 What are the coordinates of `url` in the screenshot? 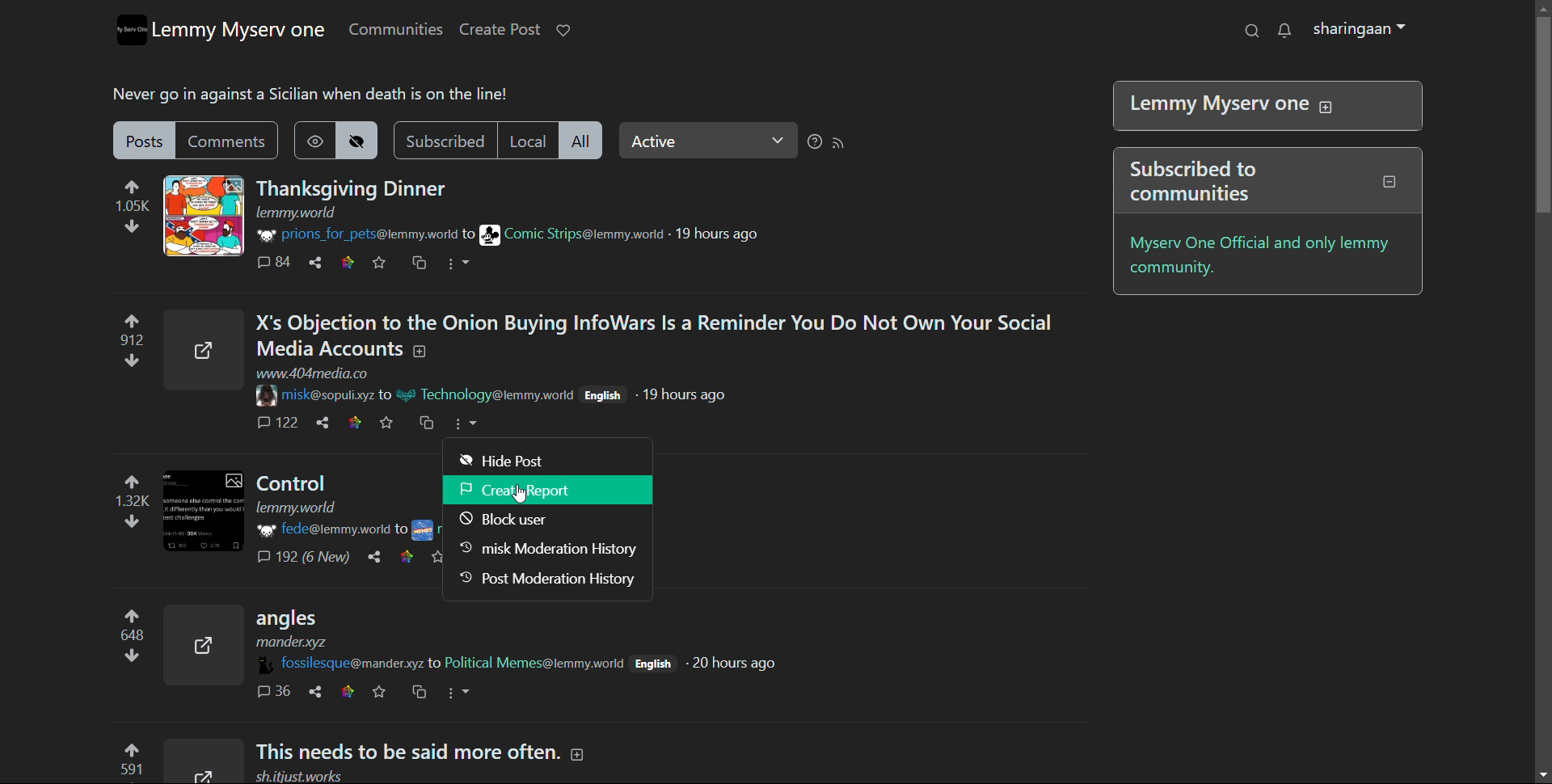 It's located at (299, 776).